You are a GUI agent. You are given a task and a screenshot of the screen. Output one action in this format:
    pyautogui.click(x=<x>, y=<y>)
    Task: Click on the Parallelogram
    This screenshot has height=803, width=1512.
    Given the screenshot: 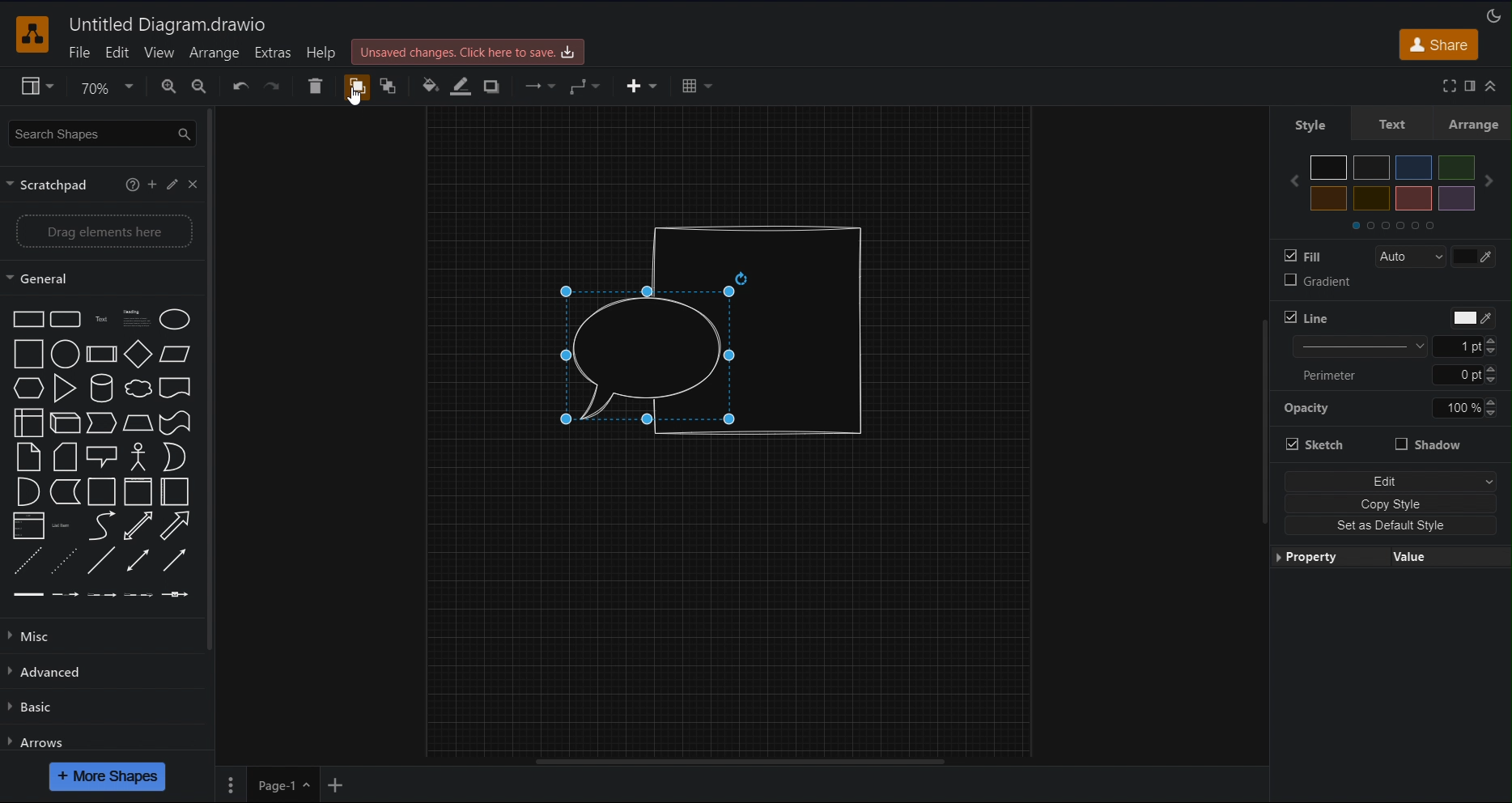 What is the action you would take?
    pyautogui.click(x=175, y=354)
    